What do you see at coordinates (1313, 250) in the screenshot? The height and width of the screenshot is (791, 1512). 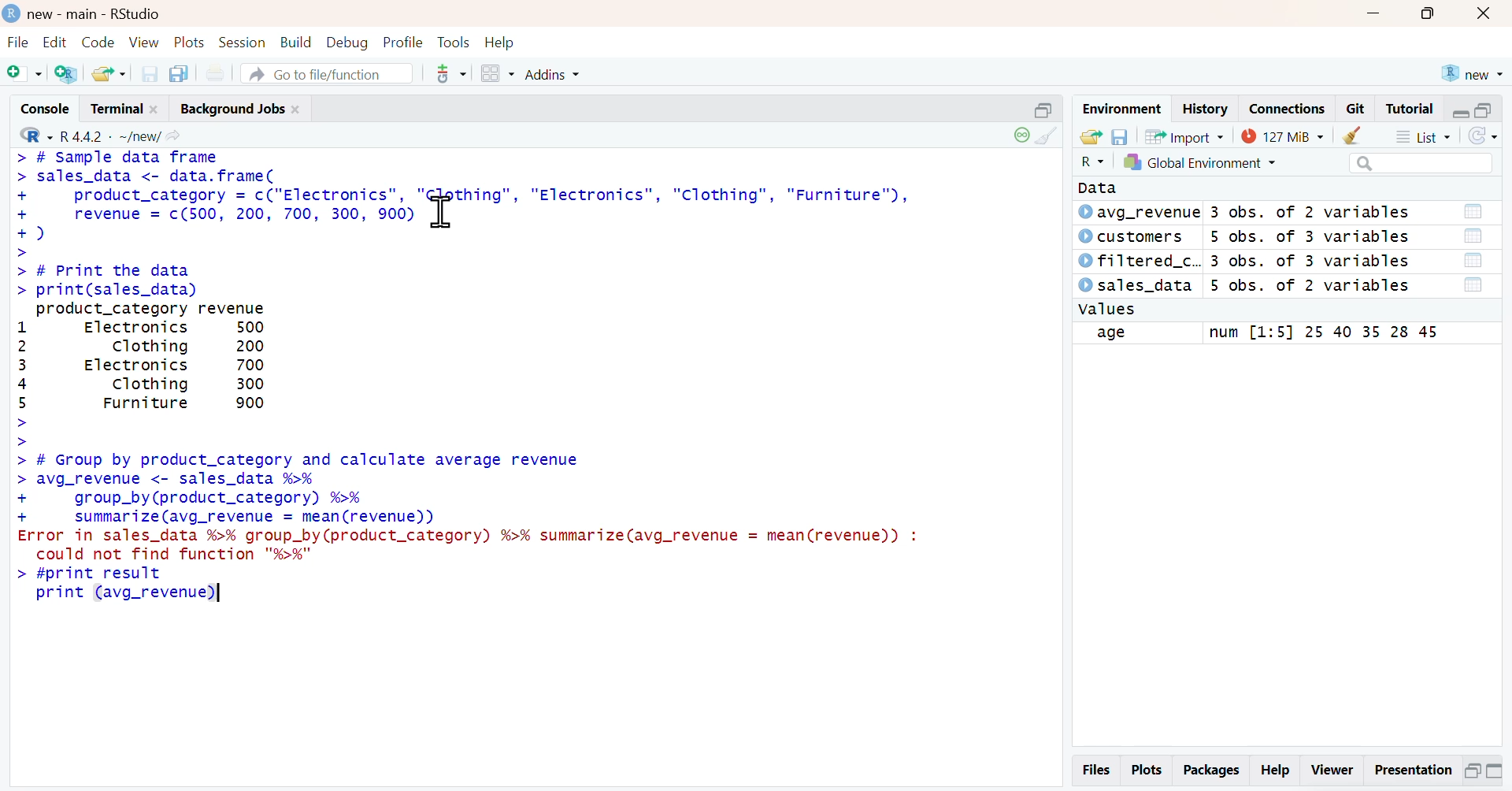 I see `Dataset meta info` at bounding box center [1313, 250].